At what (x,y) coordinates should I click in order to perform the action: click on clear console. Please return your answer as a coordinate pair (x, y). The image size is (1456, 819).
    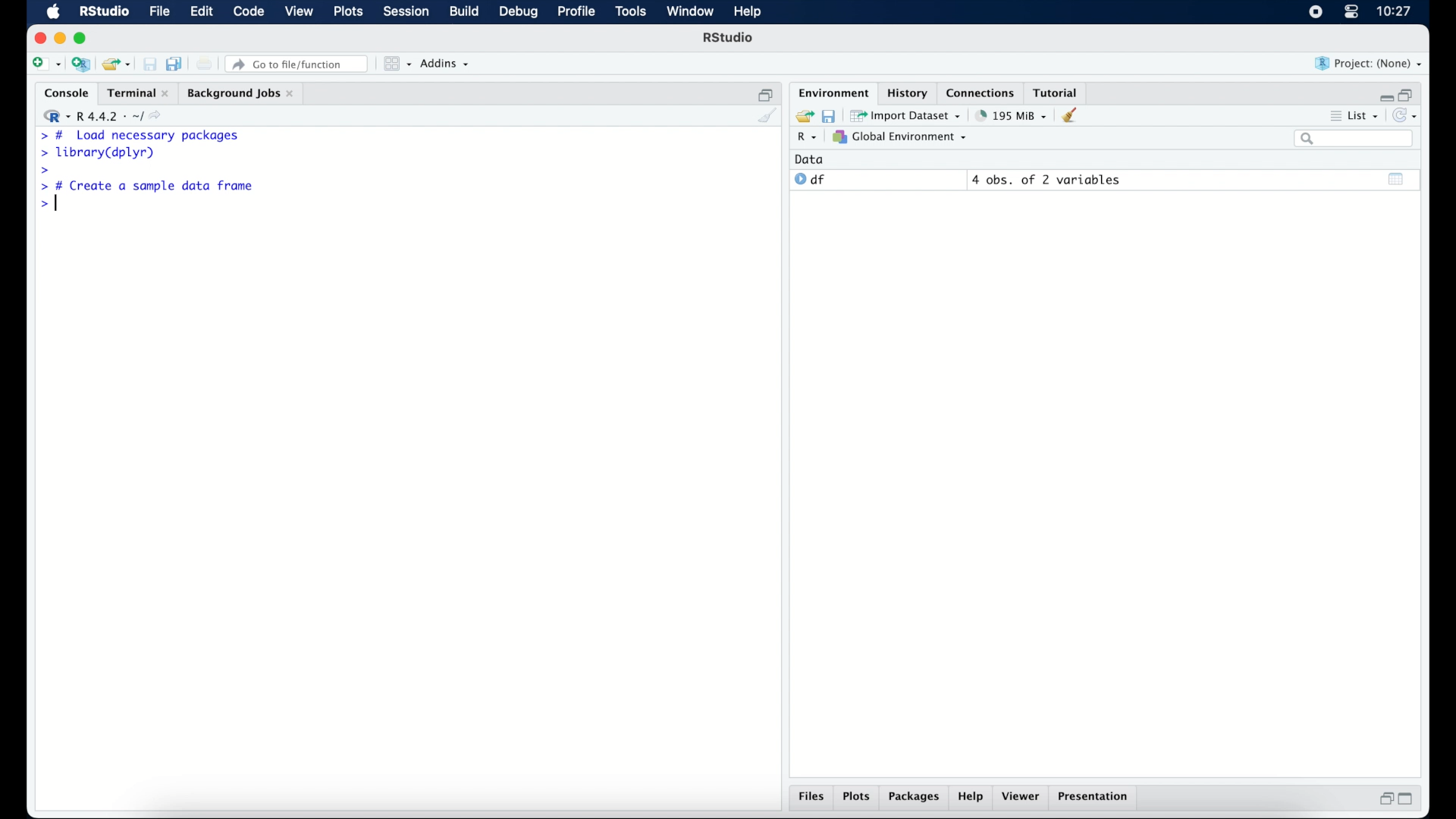
    Looking at the image, I should click on (766, 117).